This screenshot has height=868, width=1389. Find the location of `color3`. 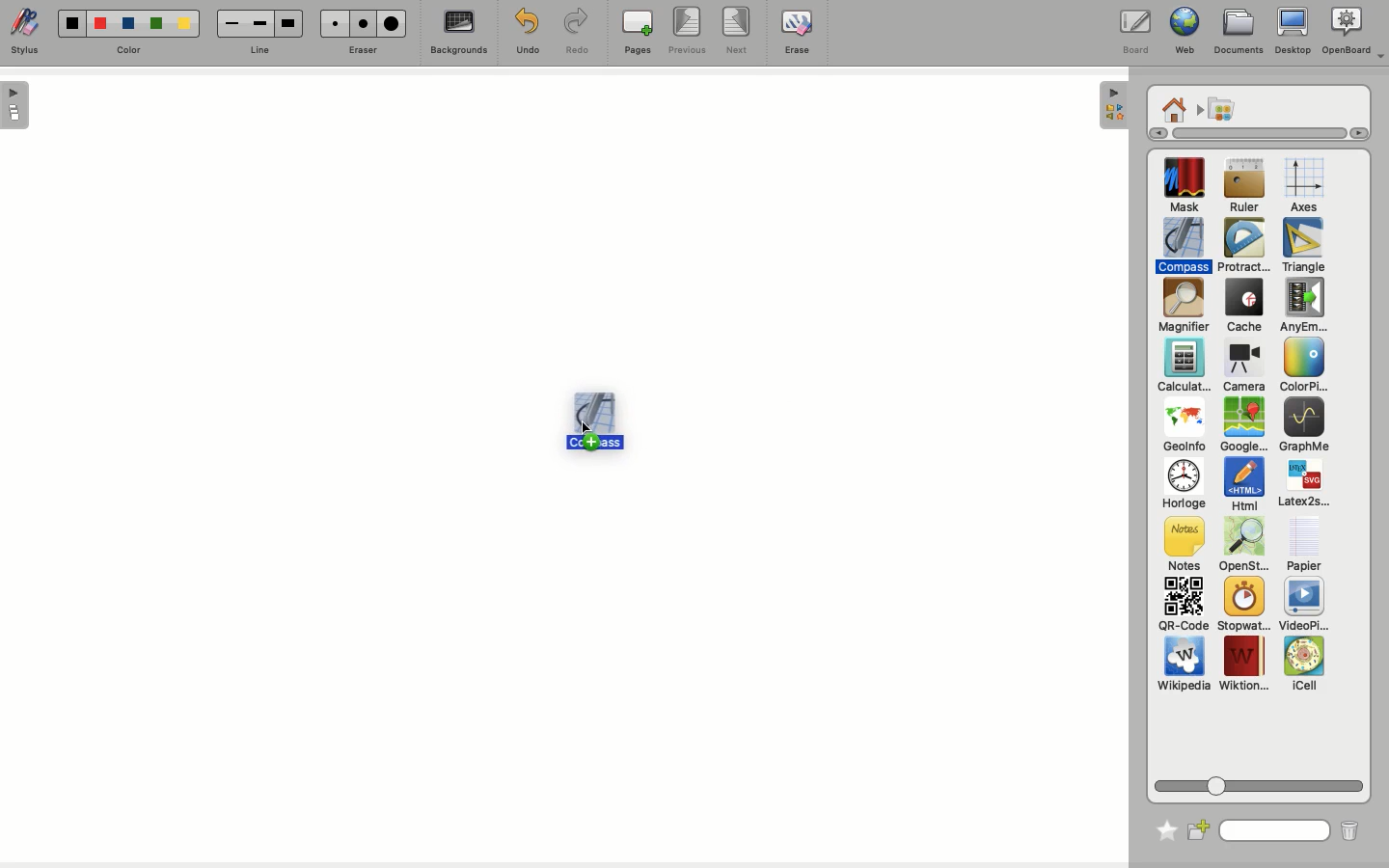

color3 is located at coordinates (127, 24).